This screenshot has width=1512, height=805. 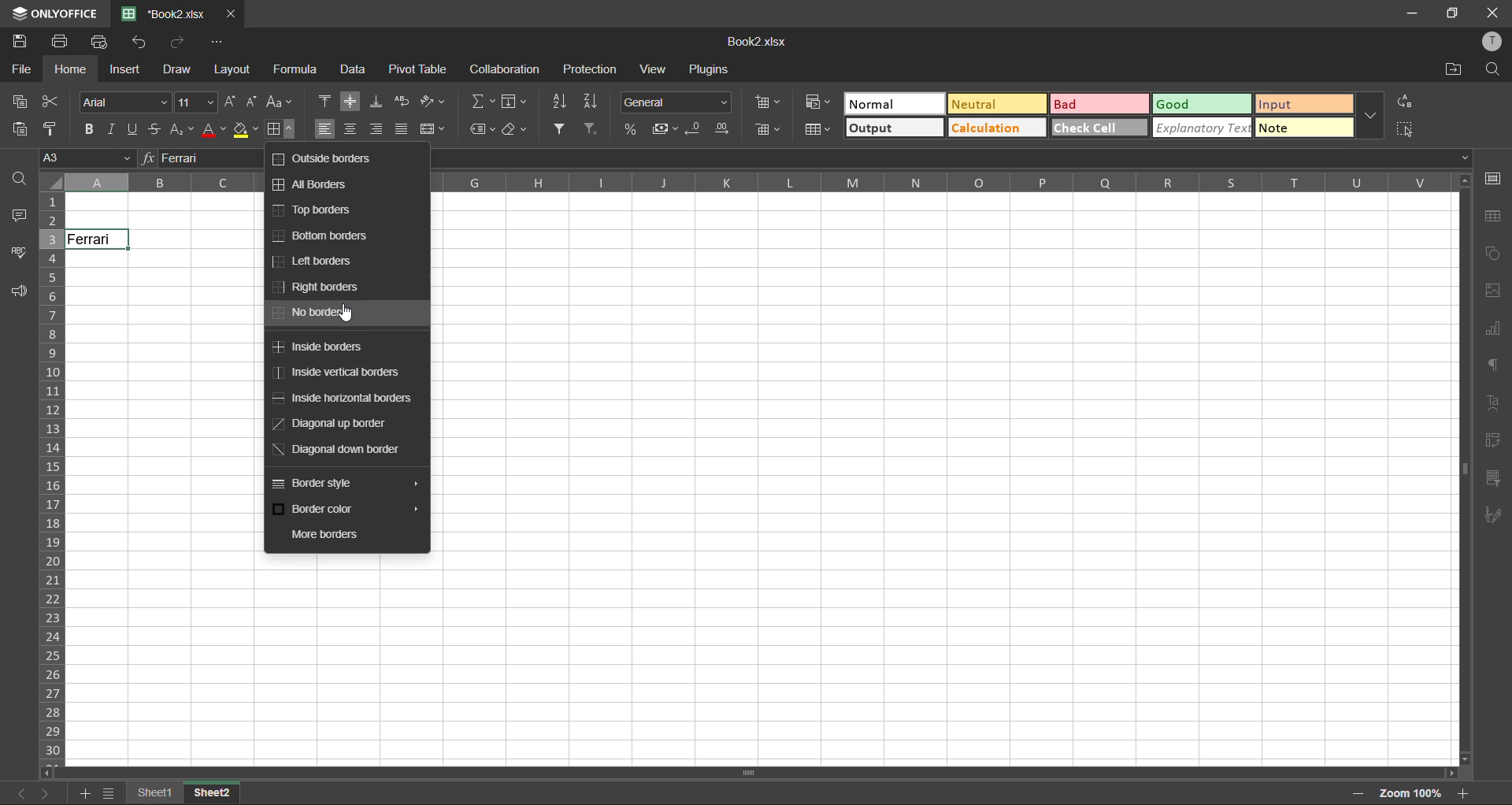 I want to click on protection, so click(x=588, y=69).